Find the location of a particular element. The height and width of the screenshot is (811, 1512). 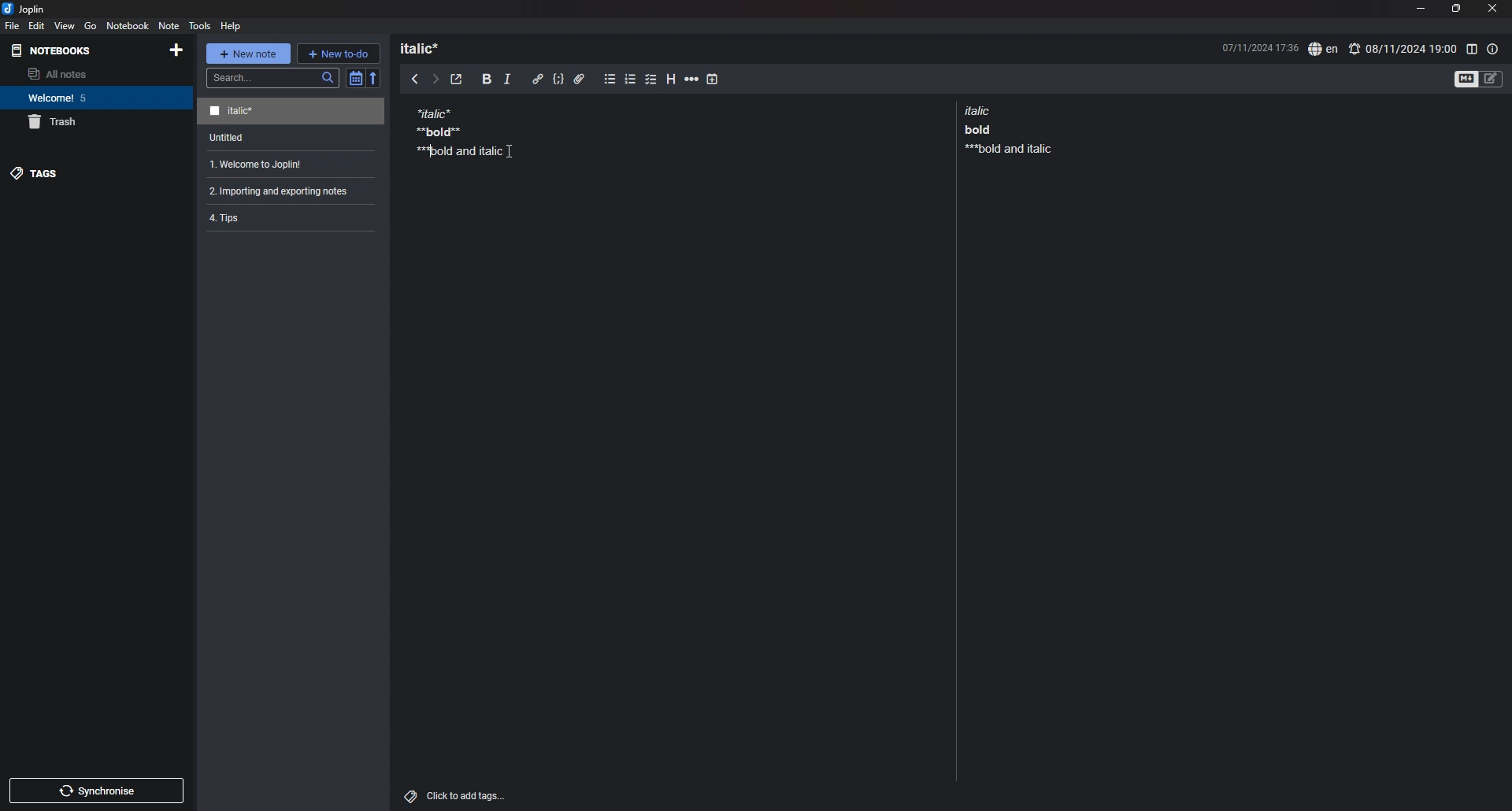

date and time is located at coordinates (1259, 46).